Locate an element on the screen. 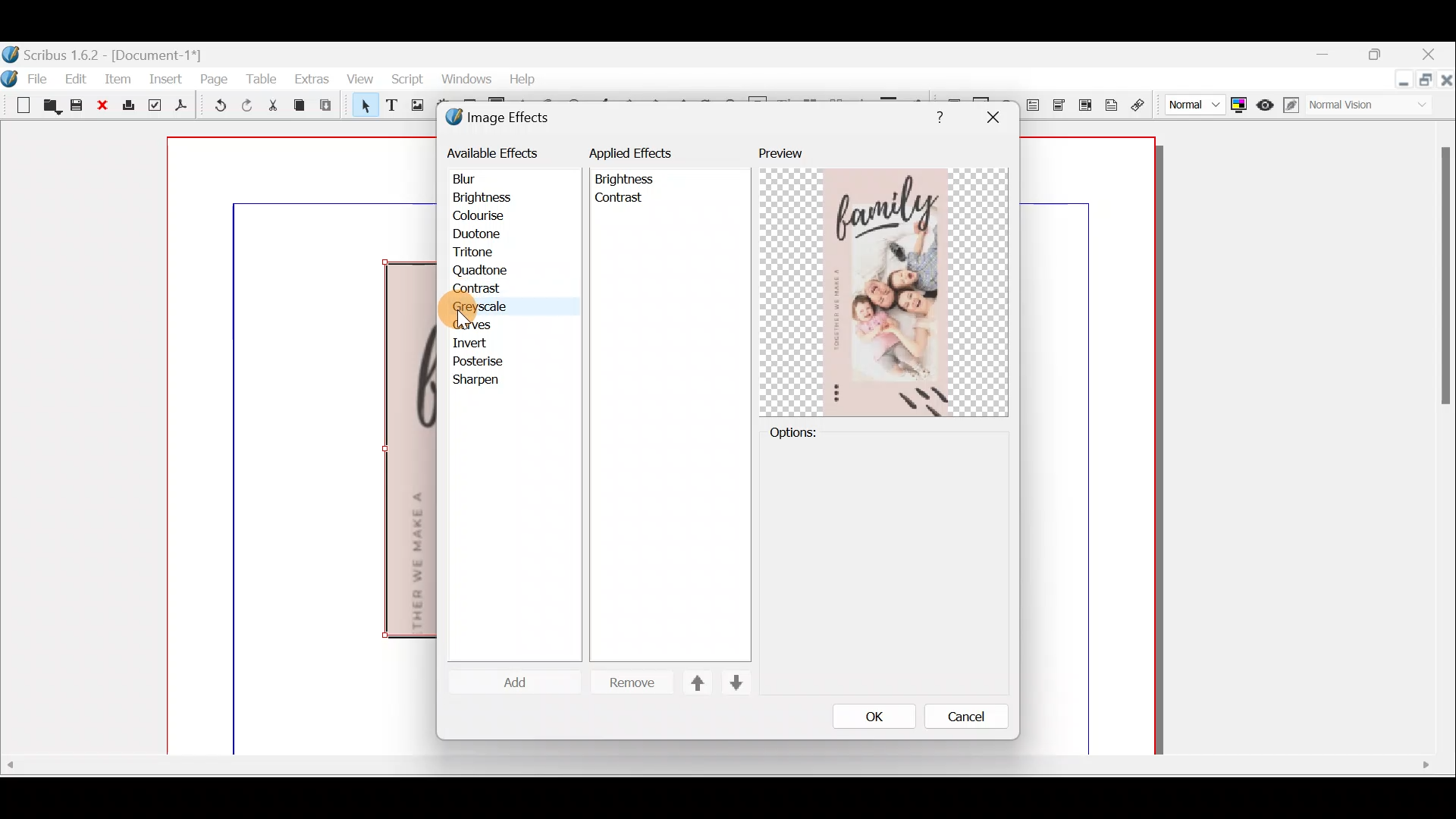  Table is located at coordinates (263, 80).